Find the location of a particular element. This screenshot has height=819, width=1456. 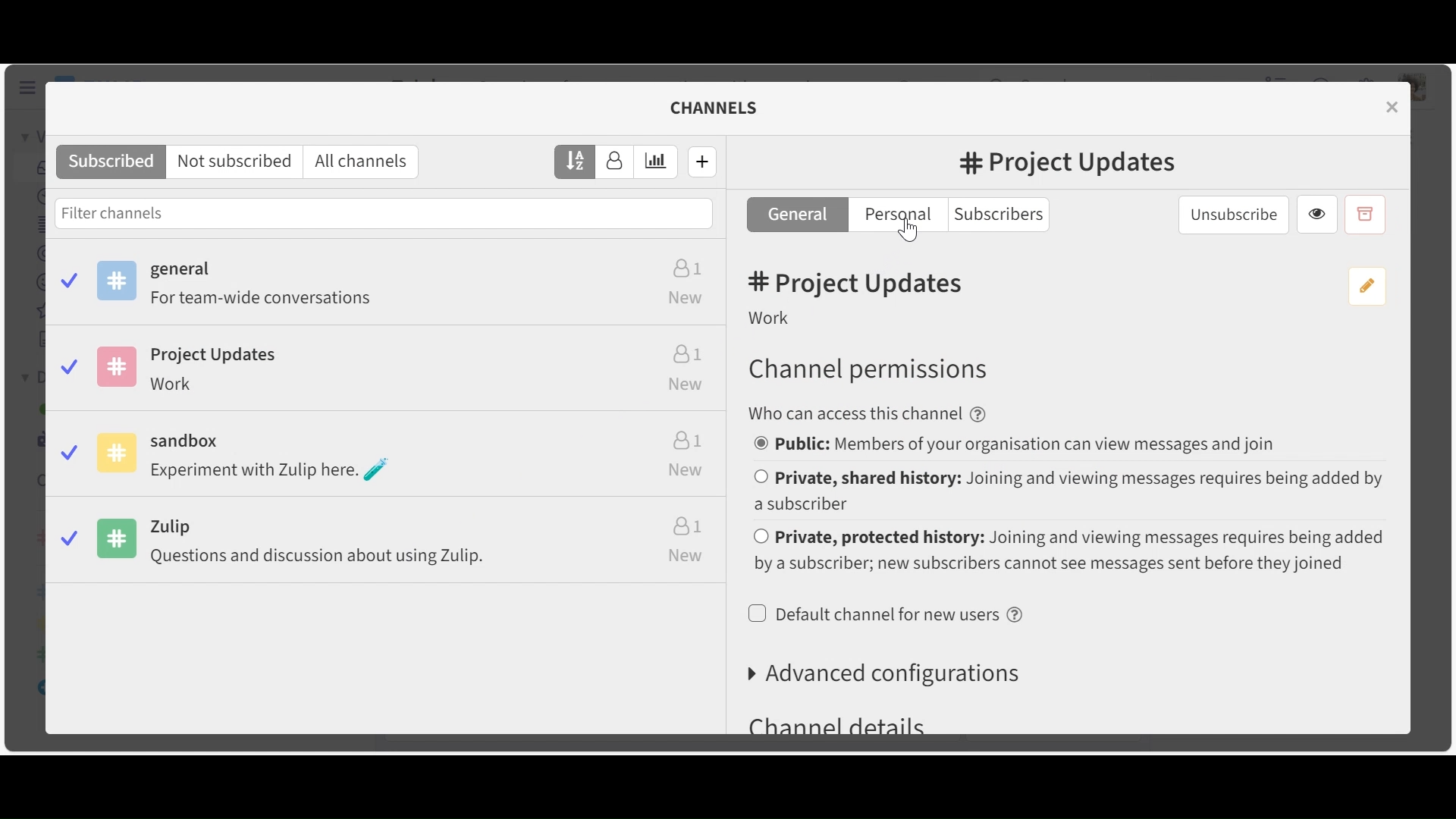

Sandbox is located at coordinates (388, 458).